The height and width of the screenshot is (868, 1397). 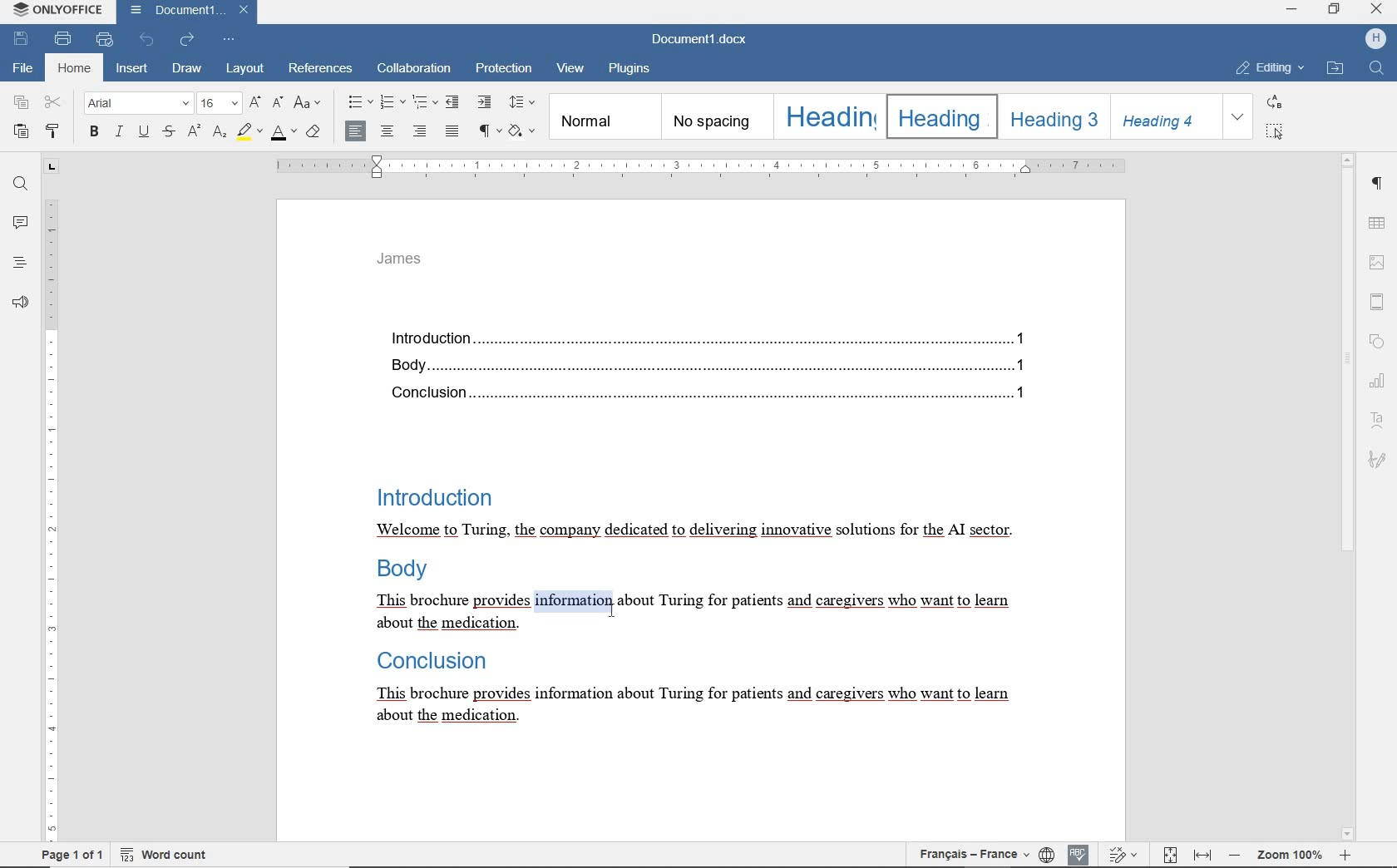 What do you see at coordinates (24, 70) in the screenshot?
I see `FILE` at bounding box center [24, 70].